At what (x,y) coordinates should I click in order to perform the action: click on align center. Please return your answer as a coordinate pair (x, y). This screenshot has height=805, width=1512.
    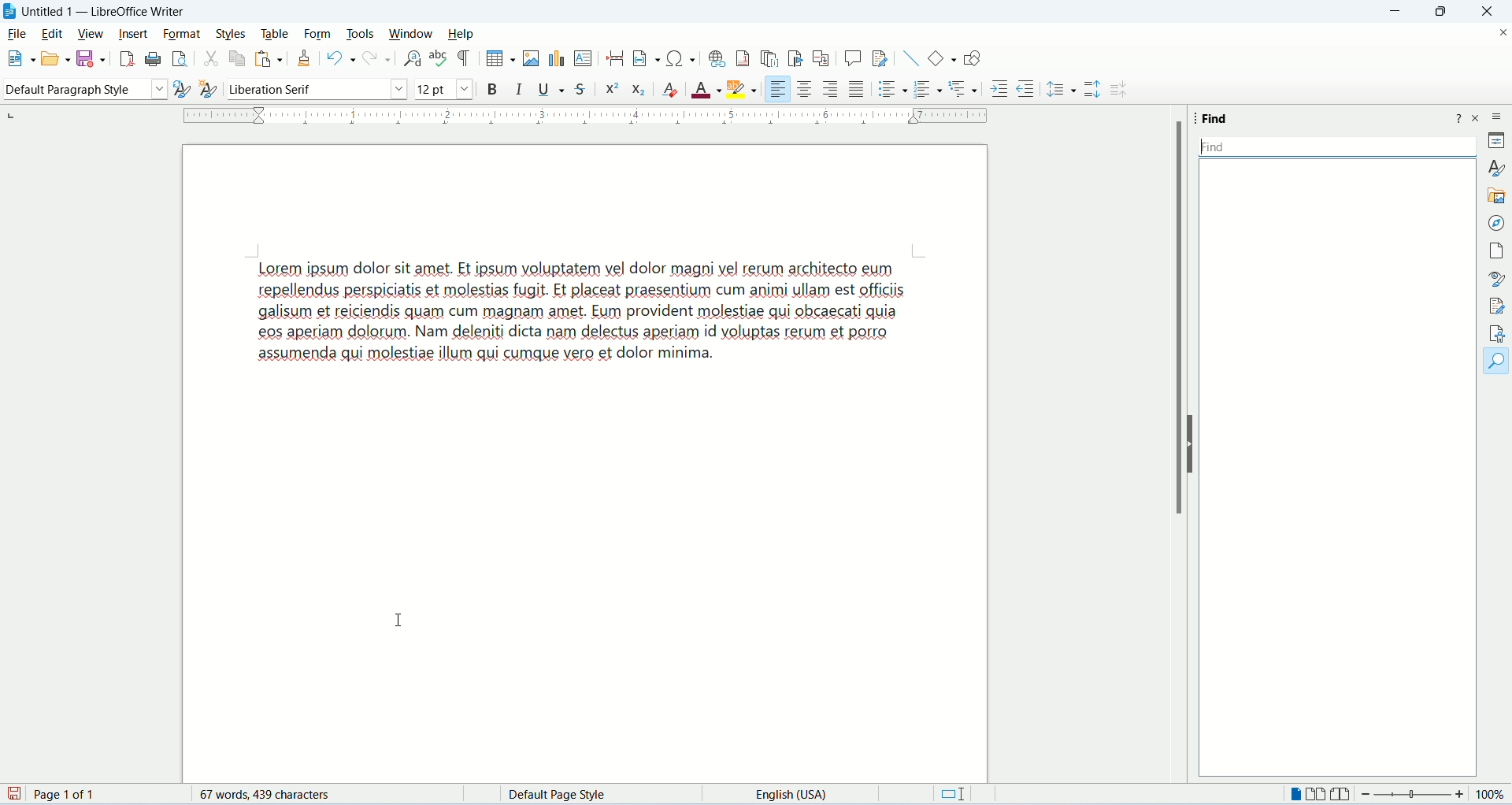
    Looking at the image, I should click on (805, 90).